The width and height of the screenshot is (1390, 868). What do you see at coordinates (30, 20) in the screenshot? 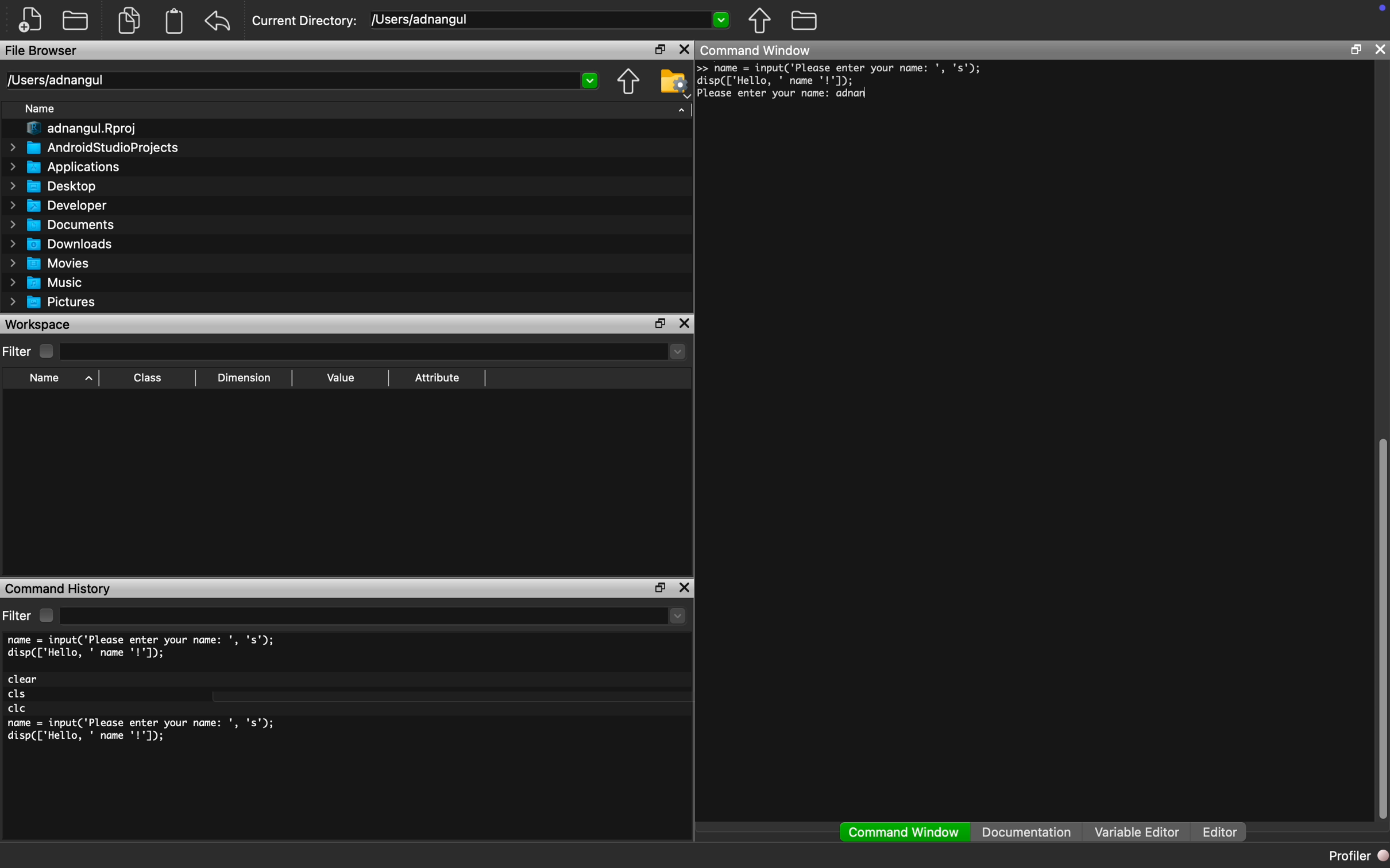
I see `New file` at bounding box center [30, 20].